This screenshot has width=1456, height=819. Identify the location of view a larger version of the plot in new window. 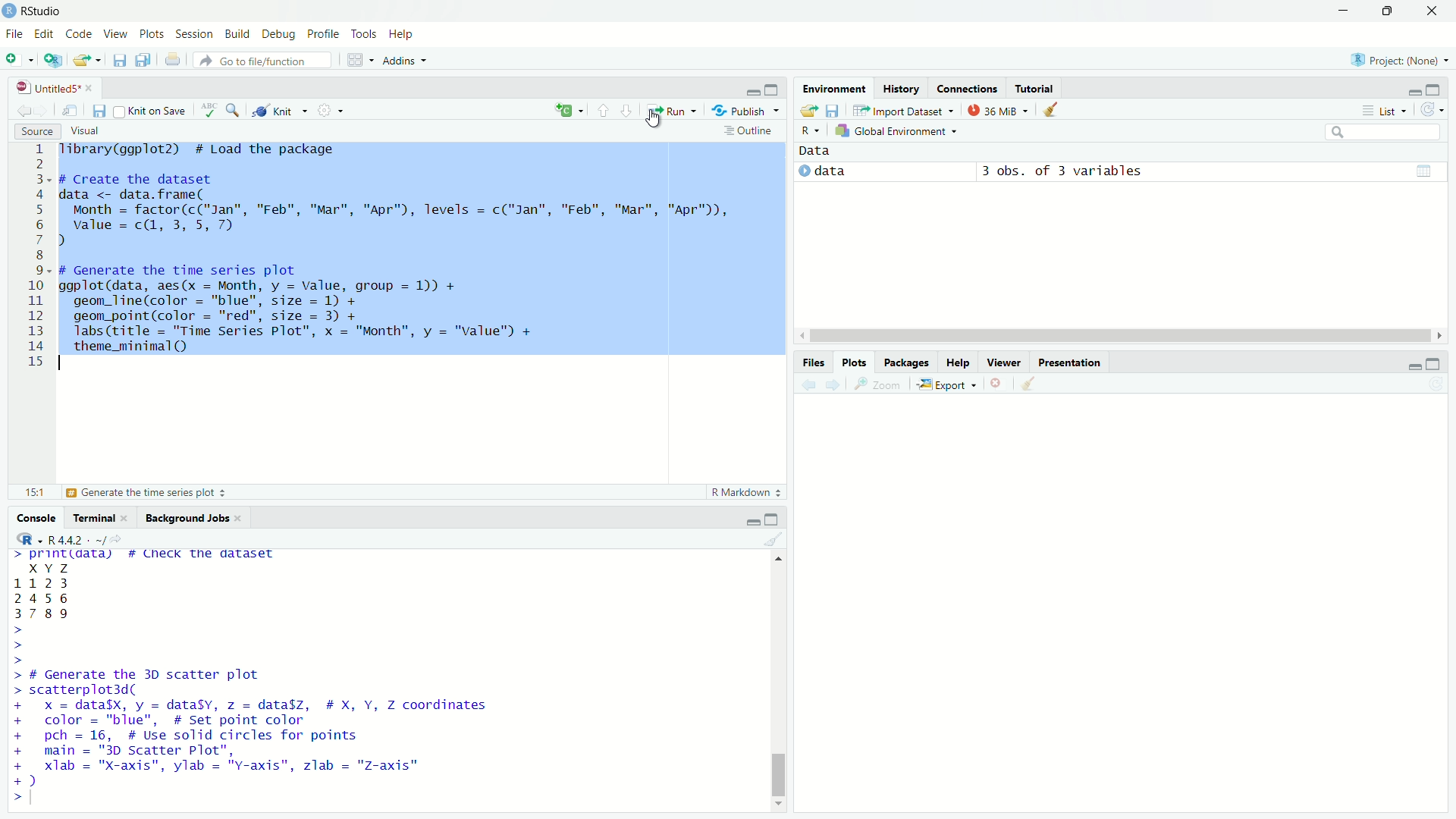
(880, 384).